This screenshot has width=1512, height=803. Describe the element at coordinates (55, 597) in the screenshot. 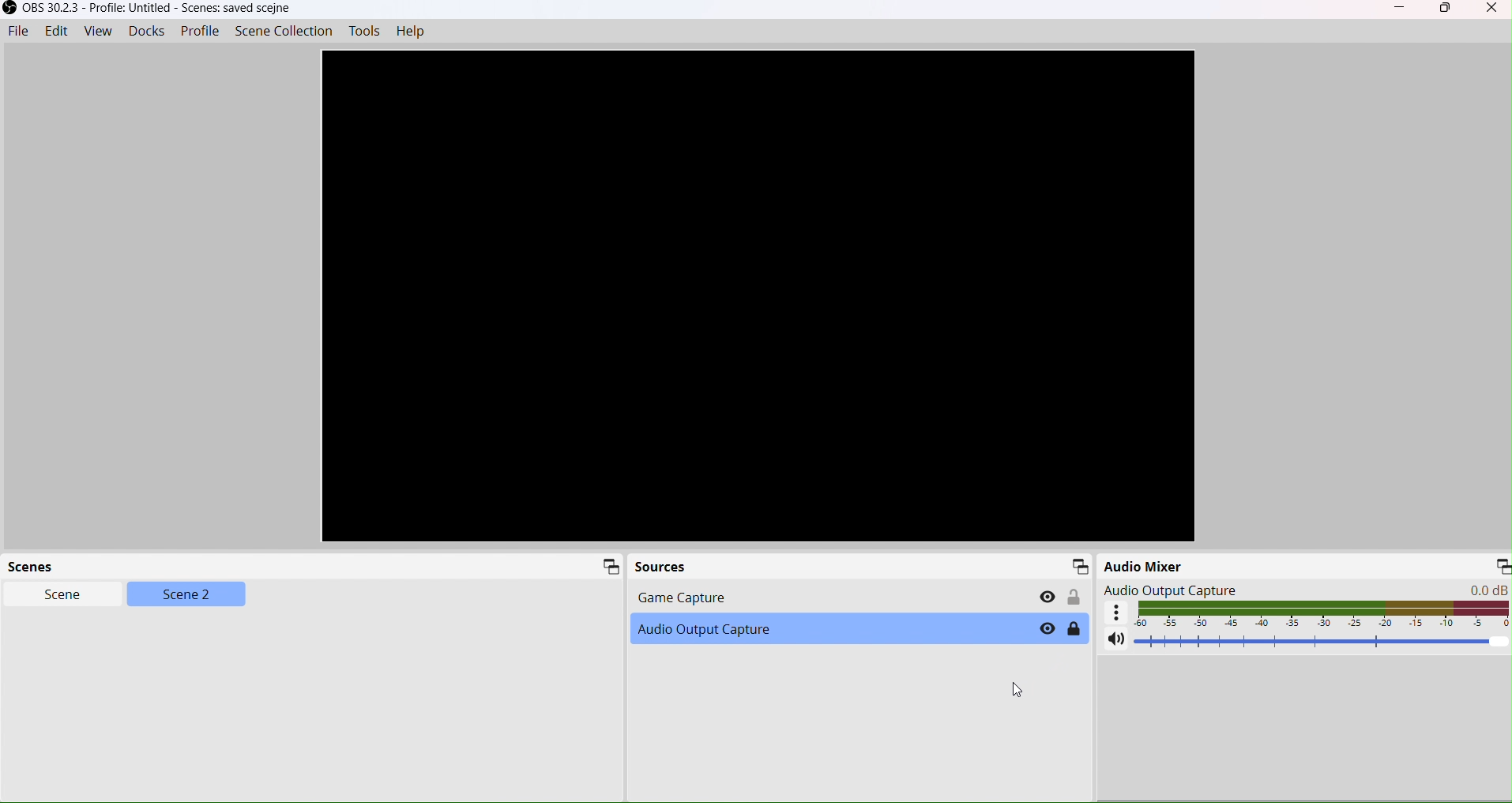

I see `Scene` at that location.